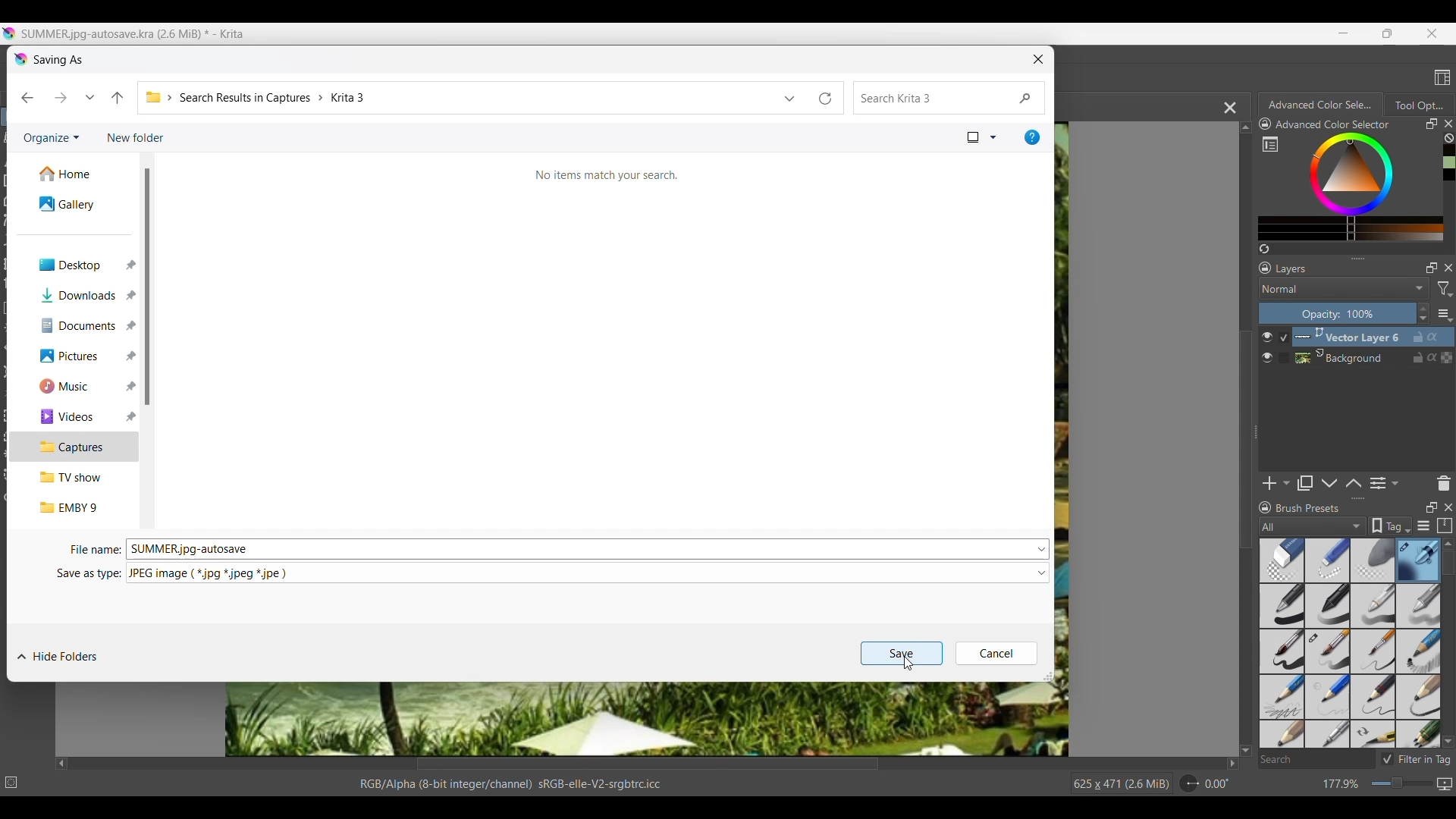 This screenshot has height=819, width=1456. I want to click on Close current image space, so click(1230, 108).